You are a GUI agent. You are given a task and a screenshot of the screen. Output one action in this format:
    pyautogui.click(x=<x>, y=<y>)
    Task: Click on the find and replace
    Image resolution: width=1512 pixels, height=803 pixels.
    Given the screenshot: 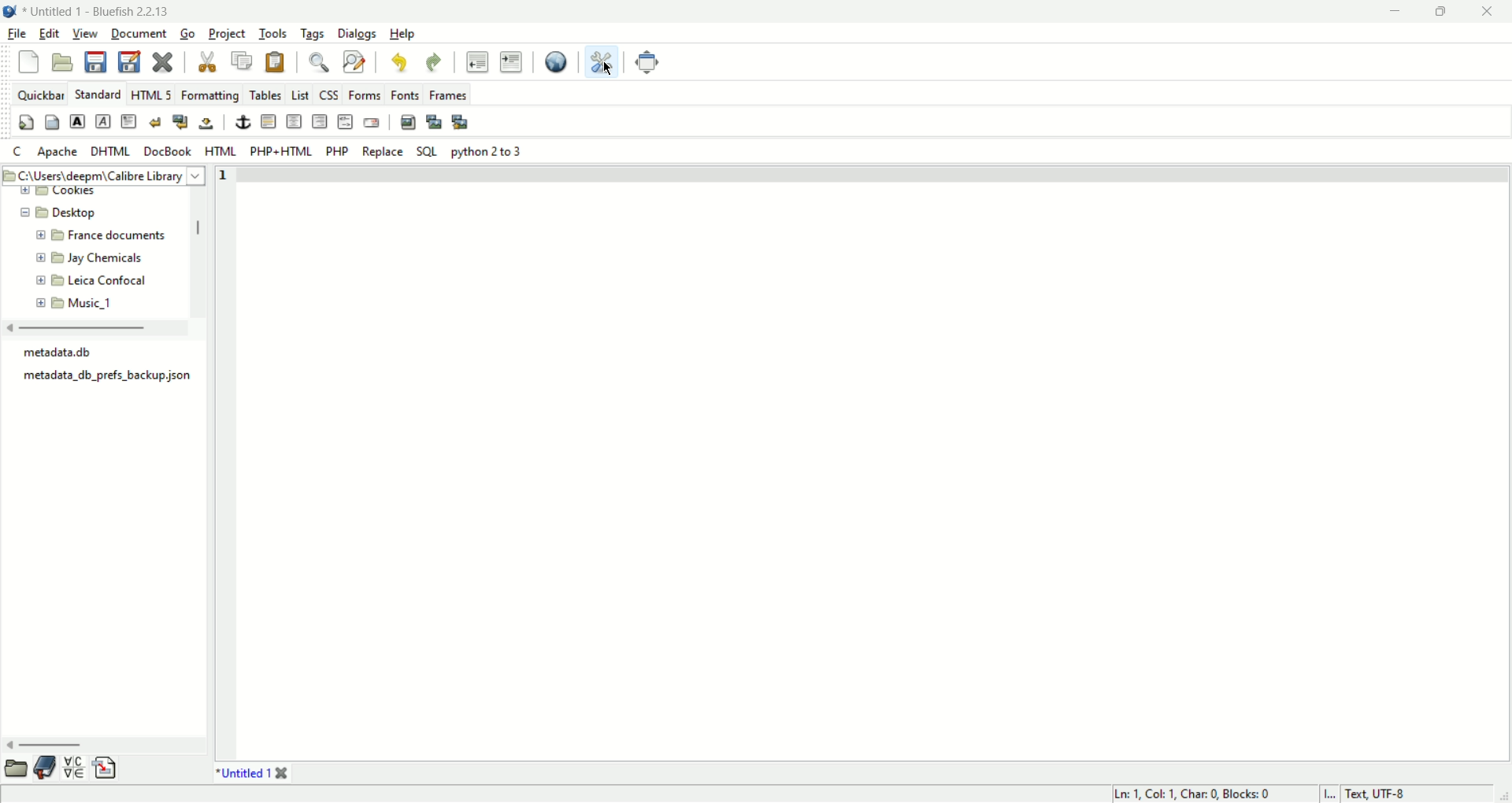 What is the action you would take?
    pyautogui.click(x=354, y=62)
    